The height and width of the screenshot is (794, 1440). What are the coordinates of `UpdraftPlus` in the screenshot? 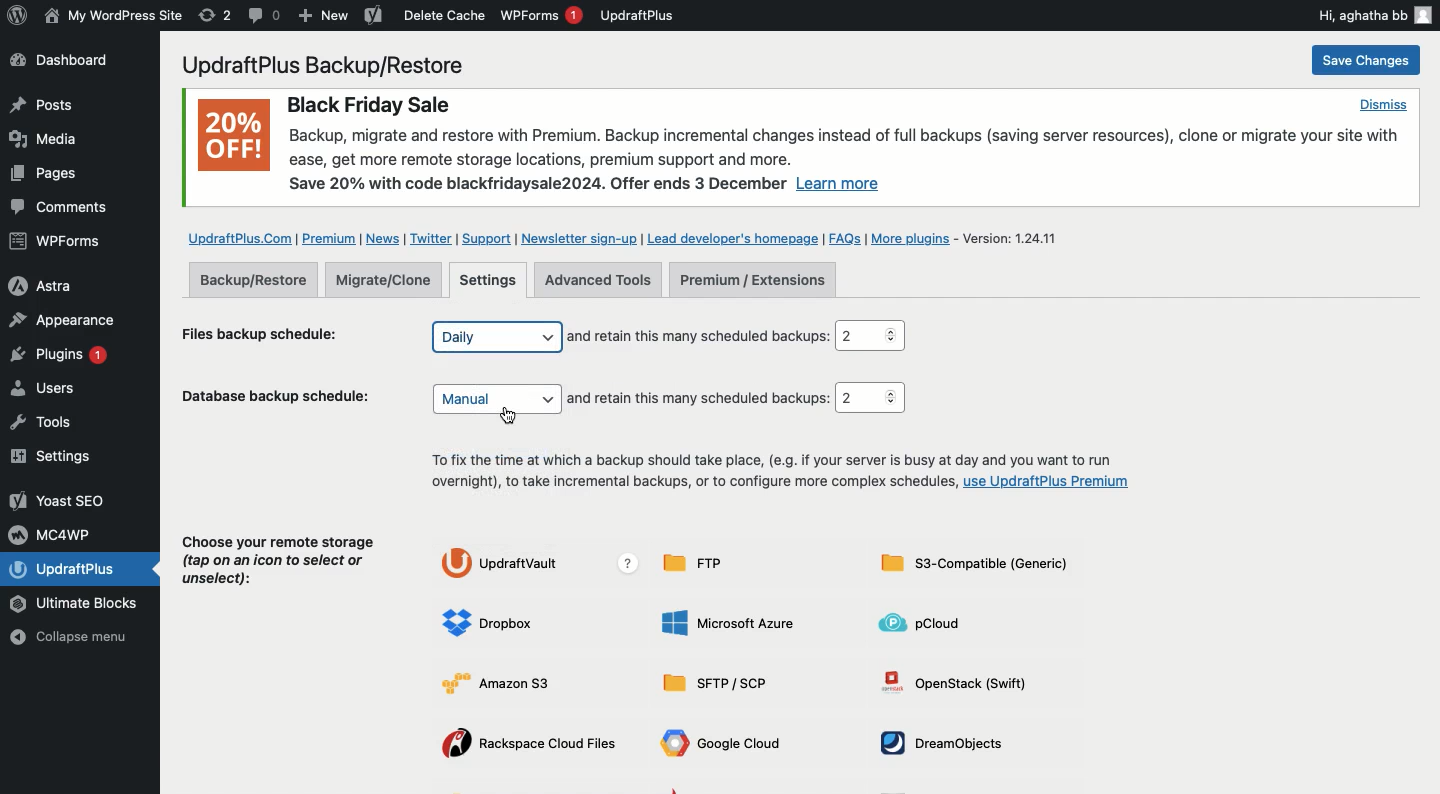 It's located at (83, 569).